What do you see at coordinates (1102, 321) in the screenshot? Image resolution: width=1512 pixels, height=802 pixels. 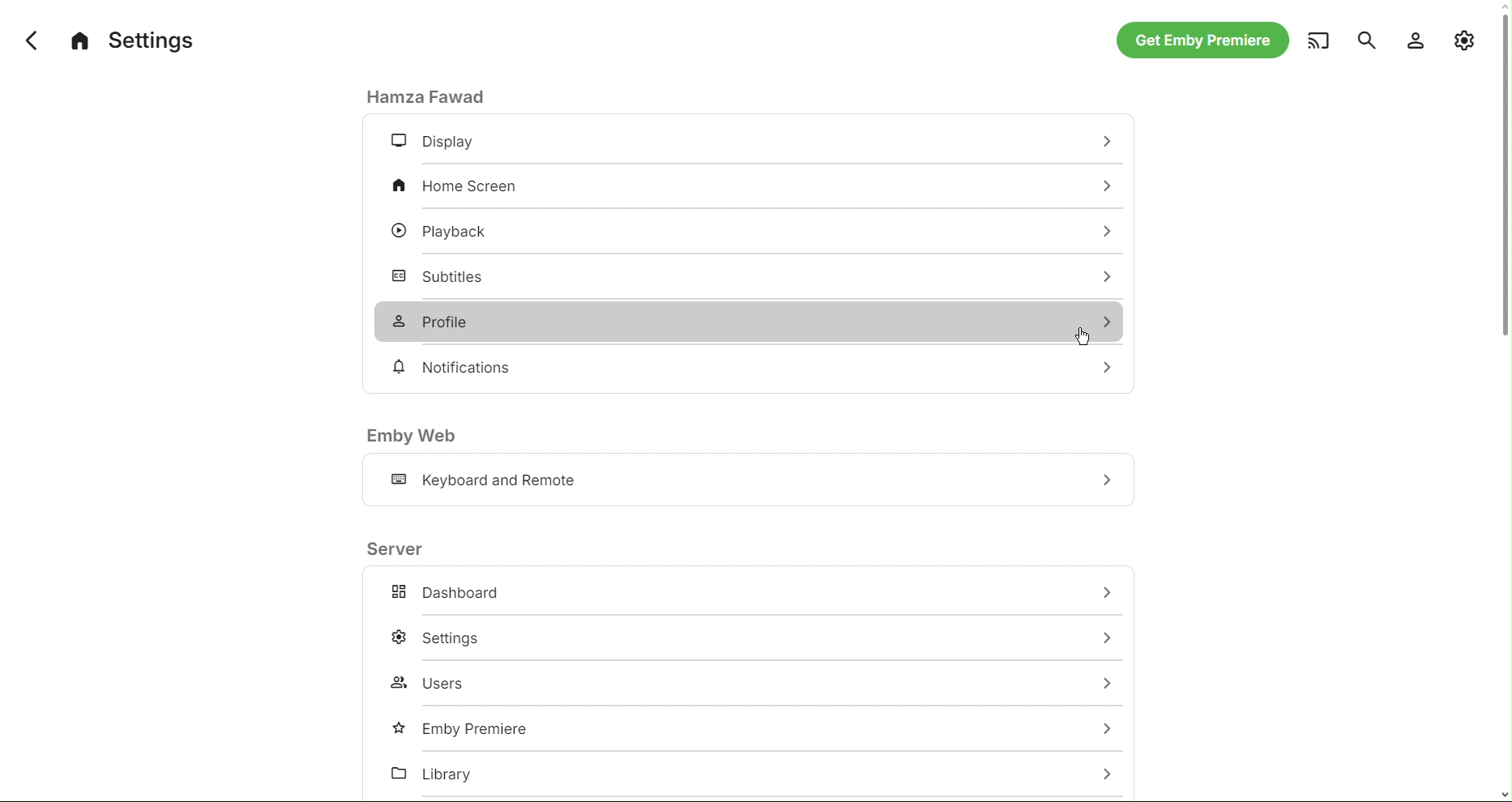 I see `go` at bounding box center [1102, 321].